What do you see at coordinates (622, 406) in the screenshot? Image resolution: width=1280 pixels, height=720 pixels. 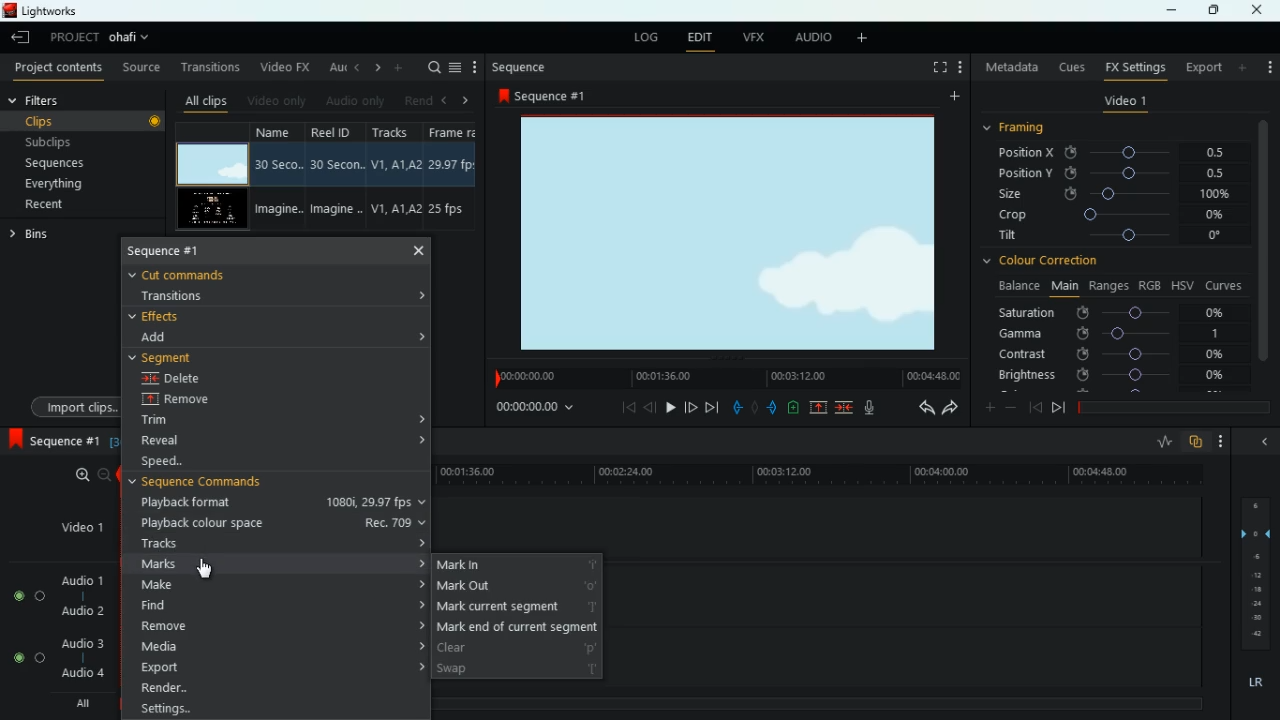 I see `beggining` at bounding box center [622, 406].